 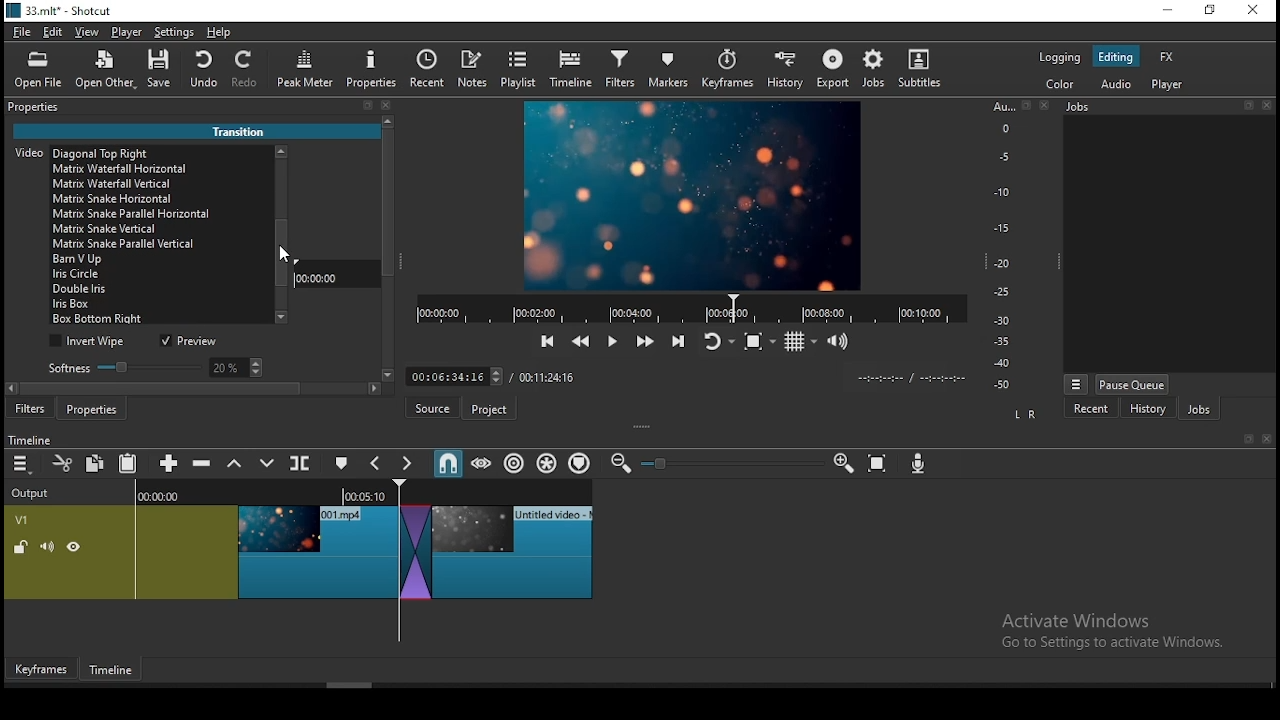 What do you see at coordinates (216, 32) in the screenshot?
I see `help` at bounding box center [216, 32].